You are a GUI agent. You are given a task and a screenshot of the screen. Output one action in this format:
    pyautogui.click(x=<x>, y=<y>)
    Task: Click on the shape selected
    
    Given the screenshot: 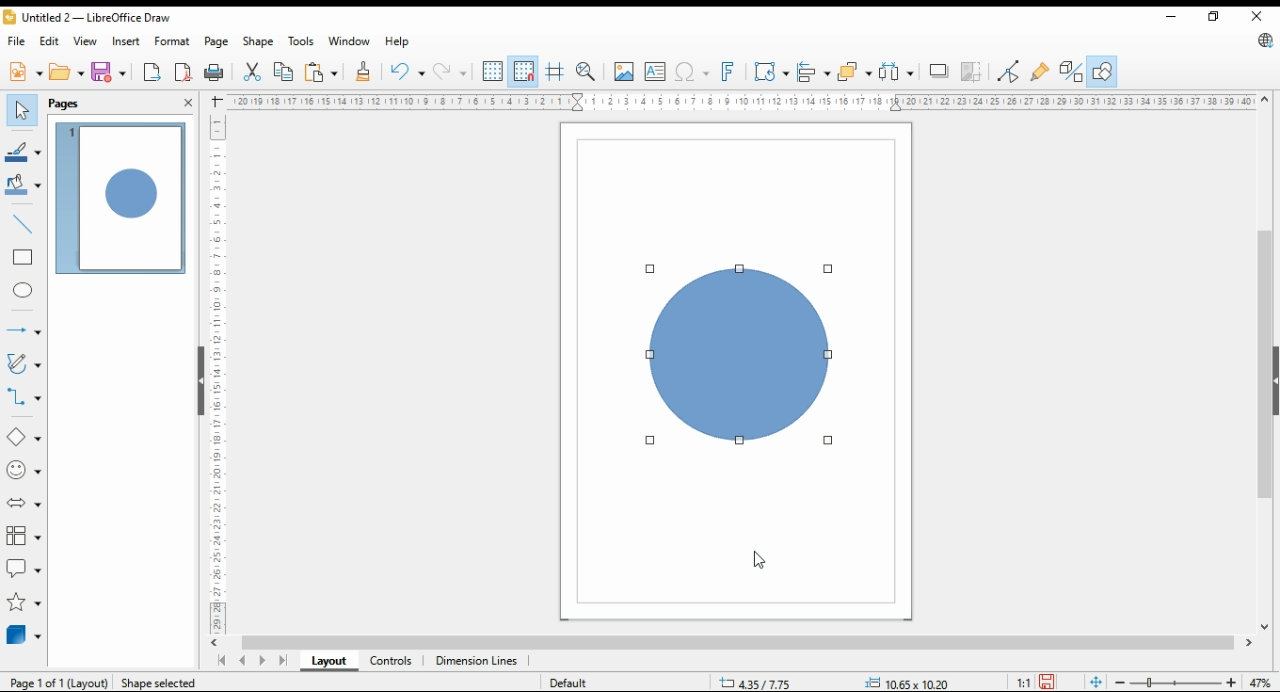 What is the action you would take?
    pyautogui.click(x=161, y=683)
    